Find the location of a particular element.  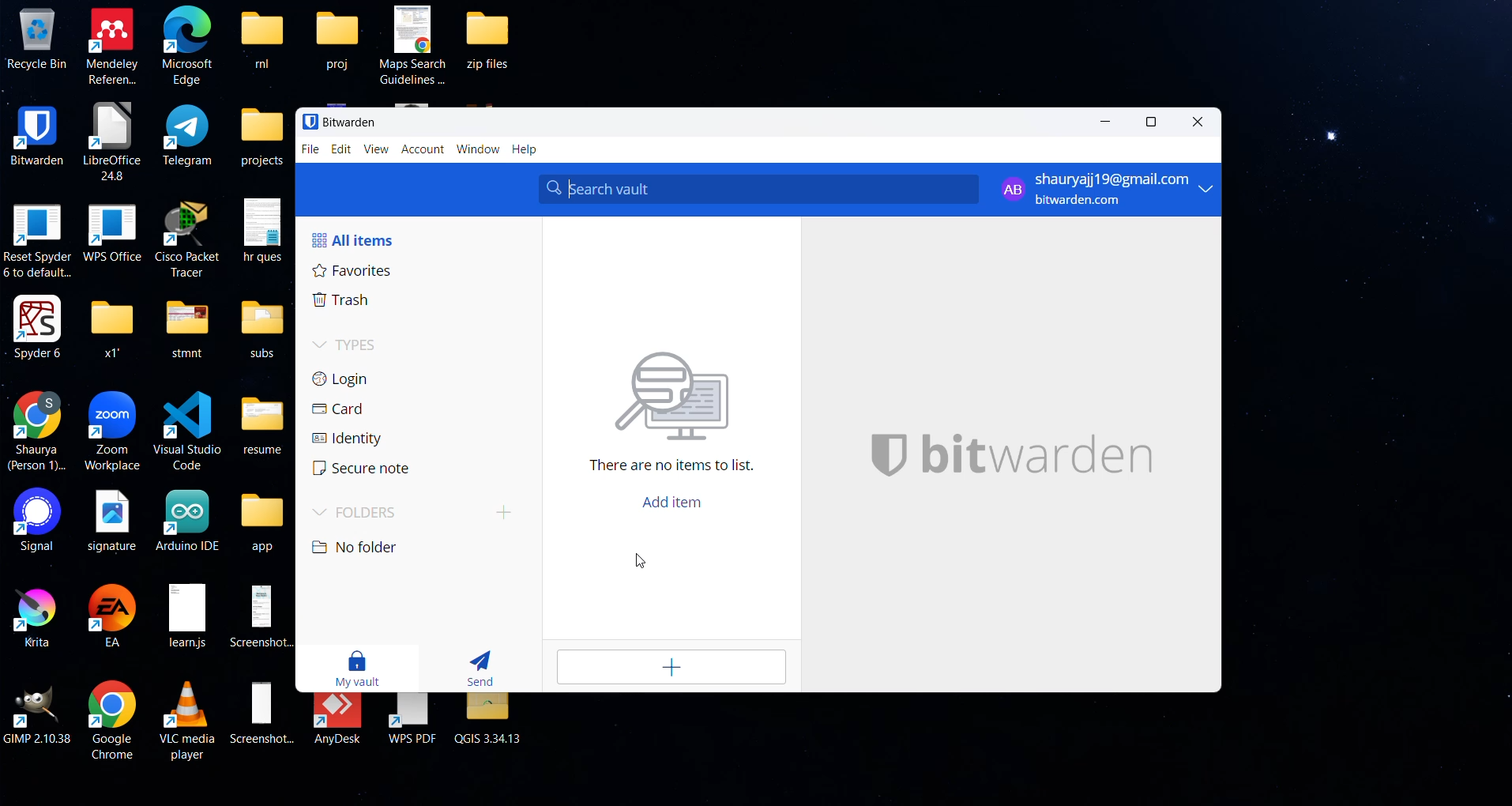

file is located at coordinates (309, 149).